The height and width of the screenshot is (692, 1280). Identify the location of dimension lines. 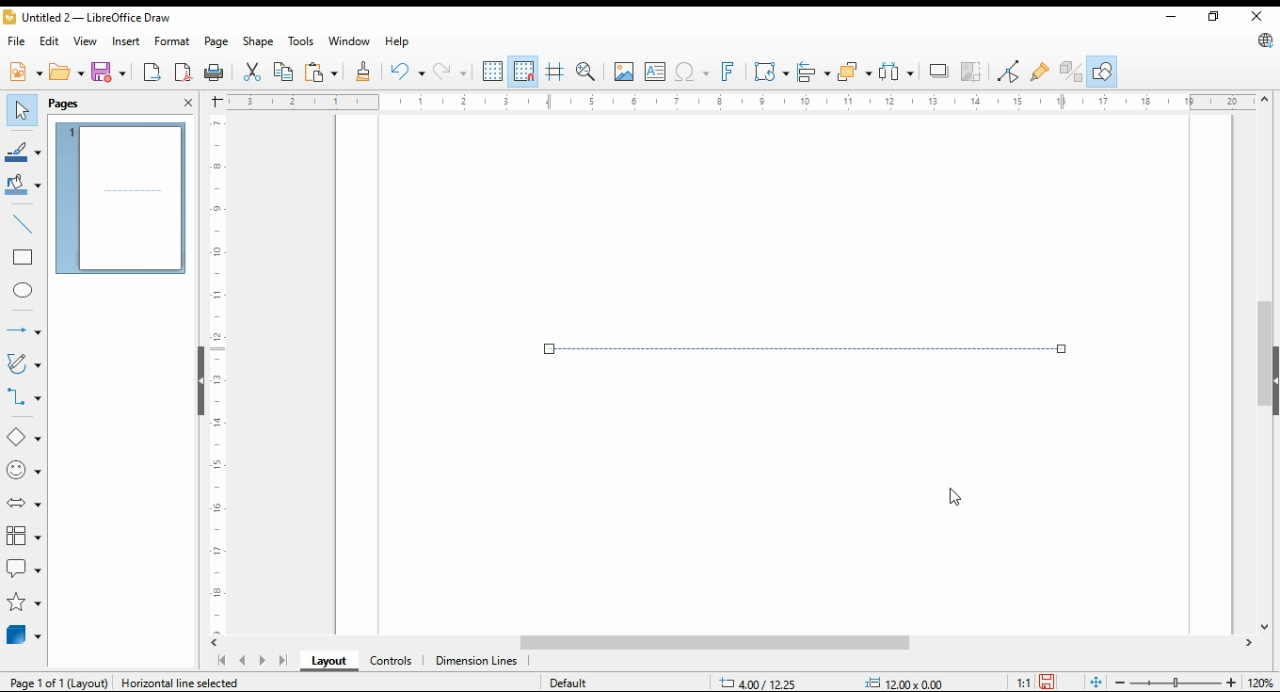
(477, 662).